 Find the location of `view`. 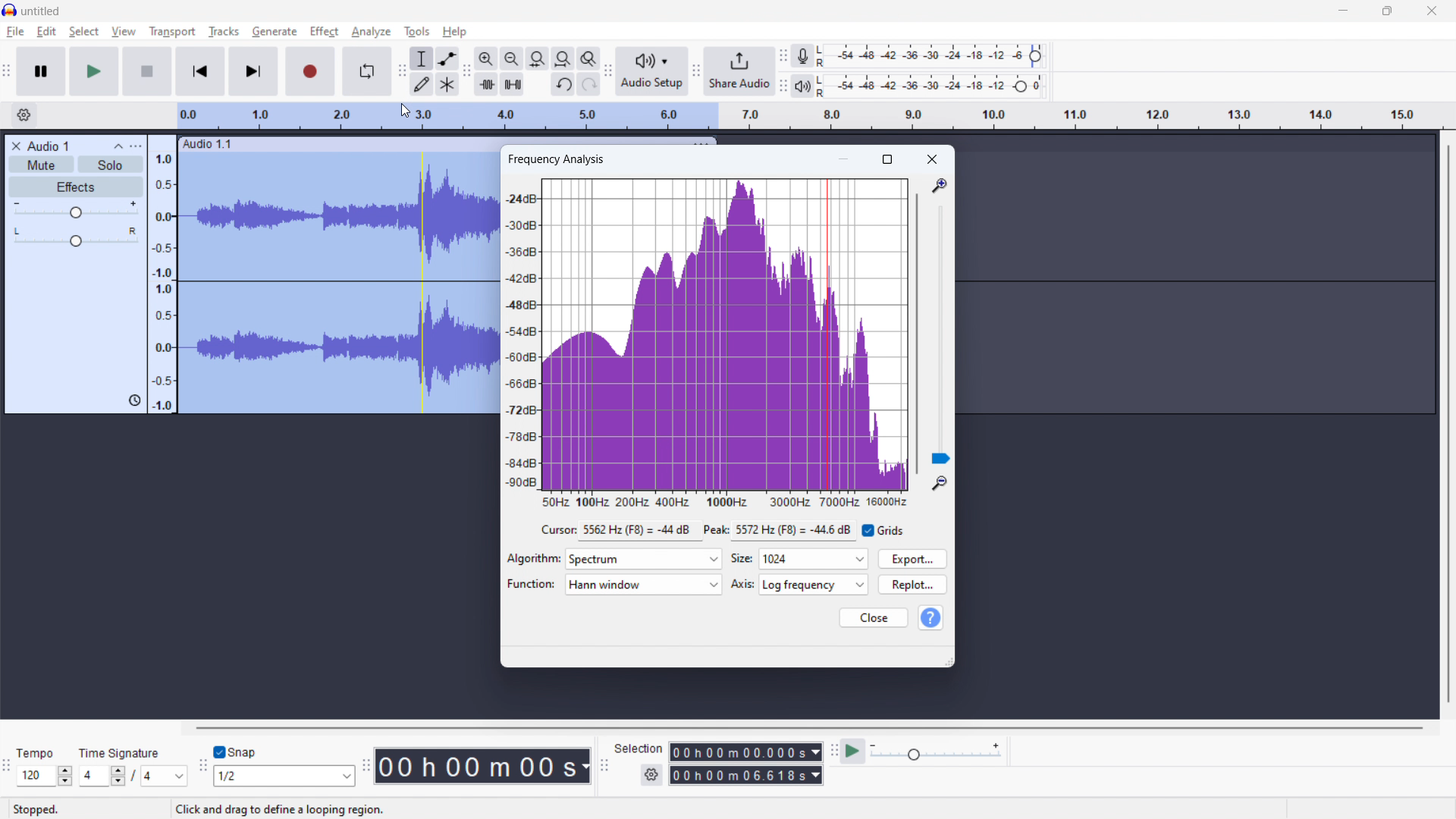

view is located at coordinates (124, 32).